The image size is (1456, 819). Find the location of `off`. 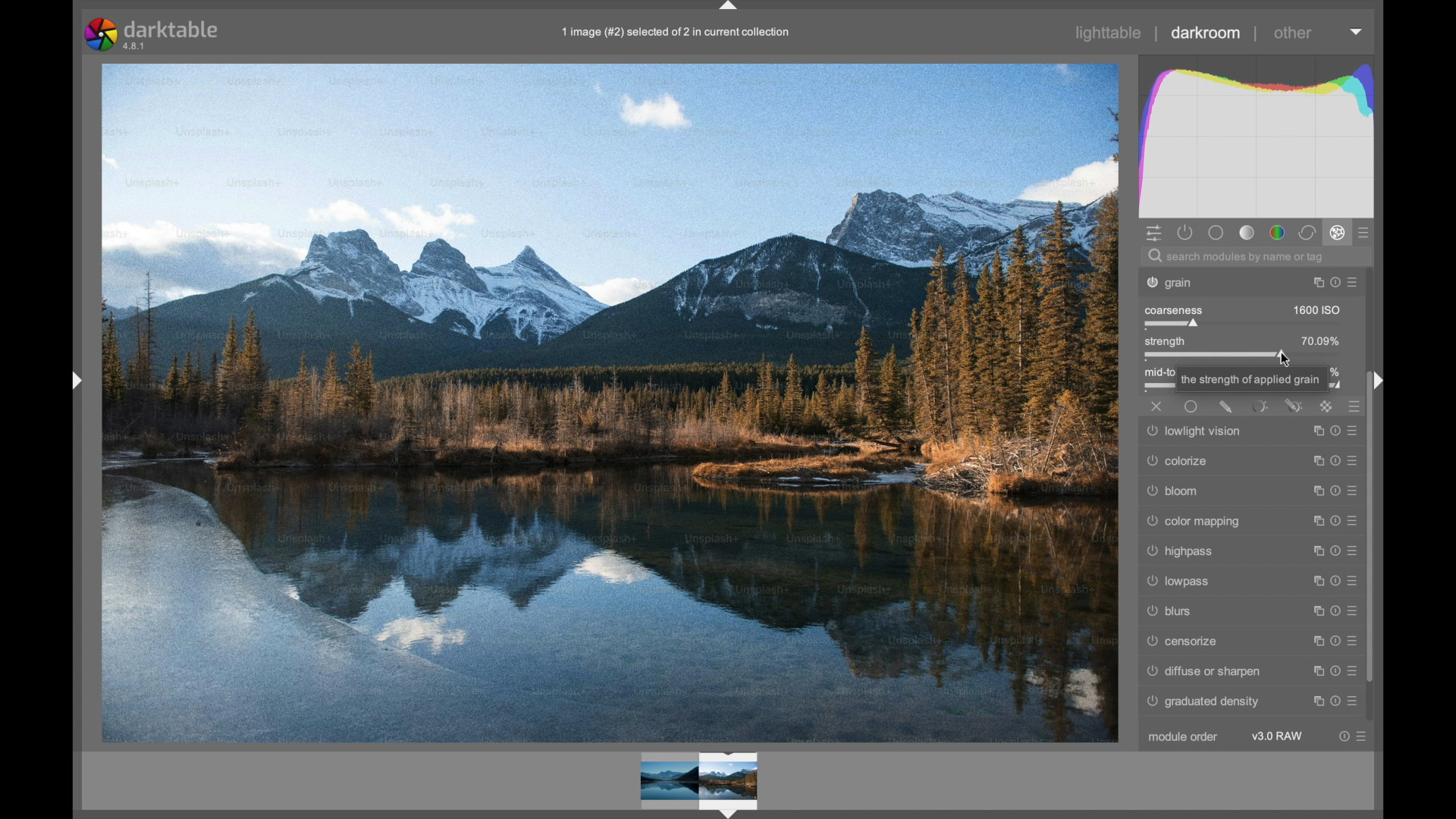

off is located at coordinates (1157, 406).